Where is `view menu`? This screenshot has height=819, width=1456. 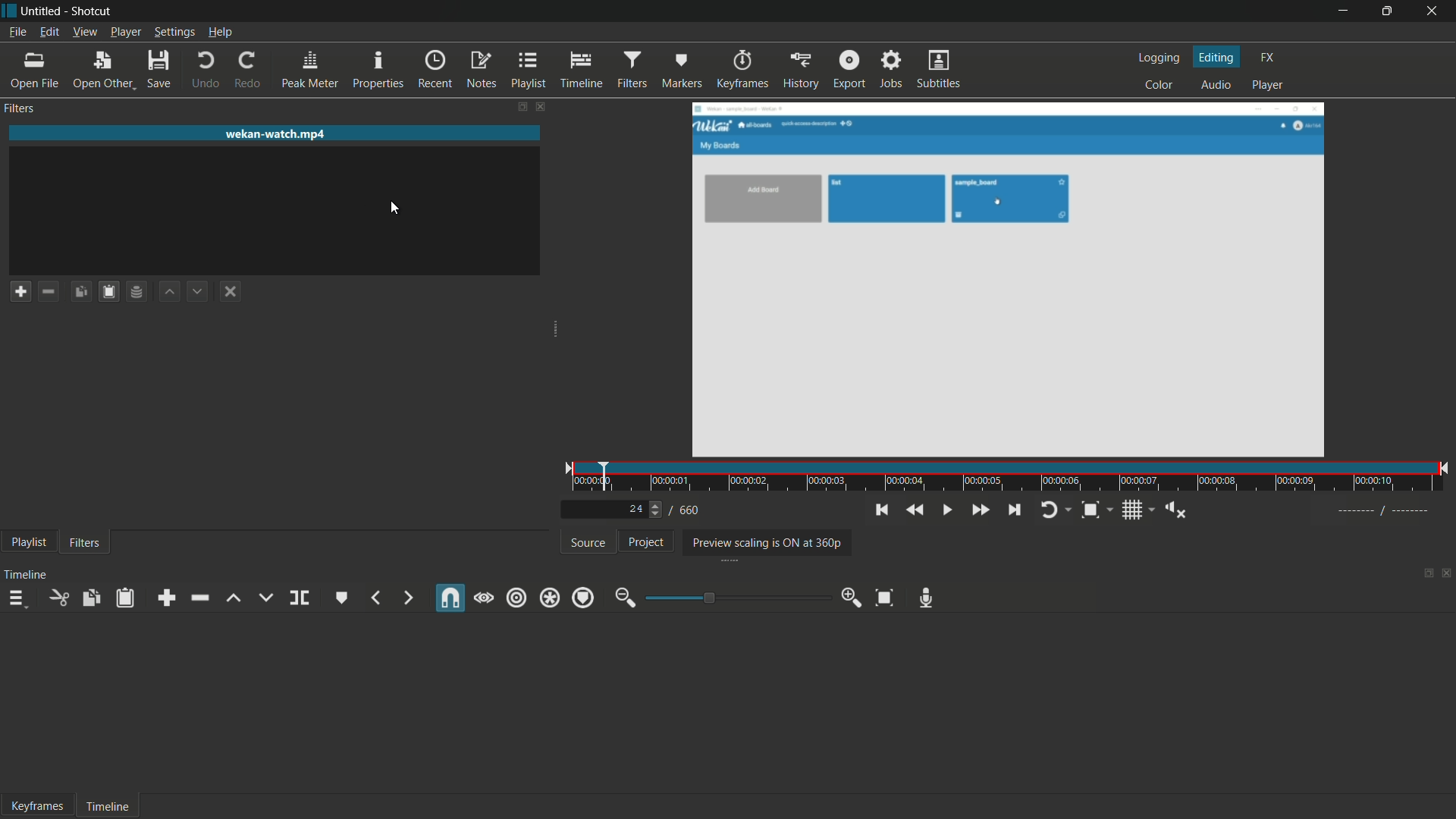
view menu is located at coordinates (84, 31).